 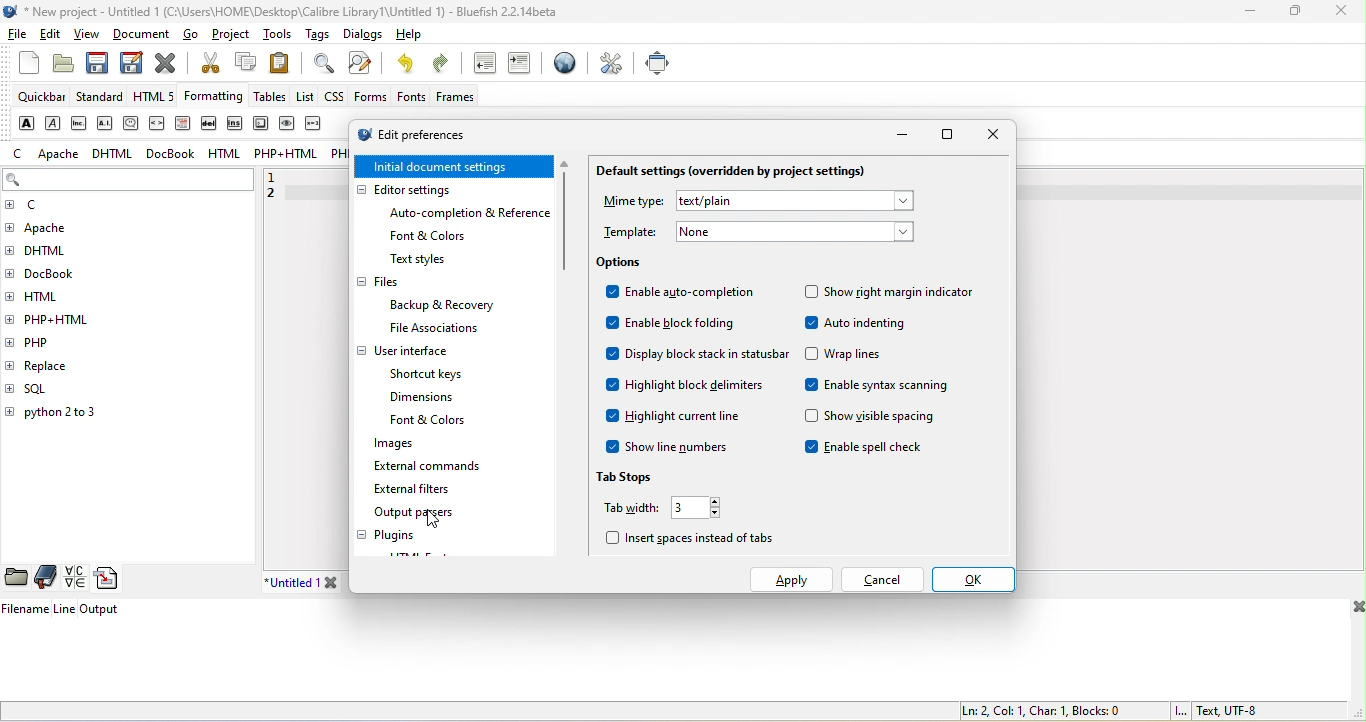 I want to click on options, so click(x=622, y=264).